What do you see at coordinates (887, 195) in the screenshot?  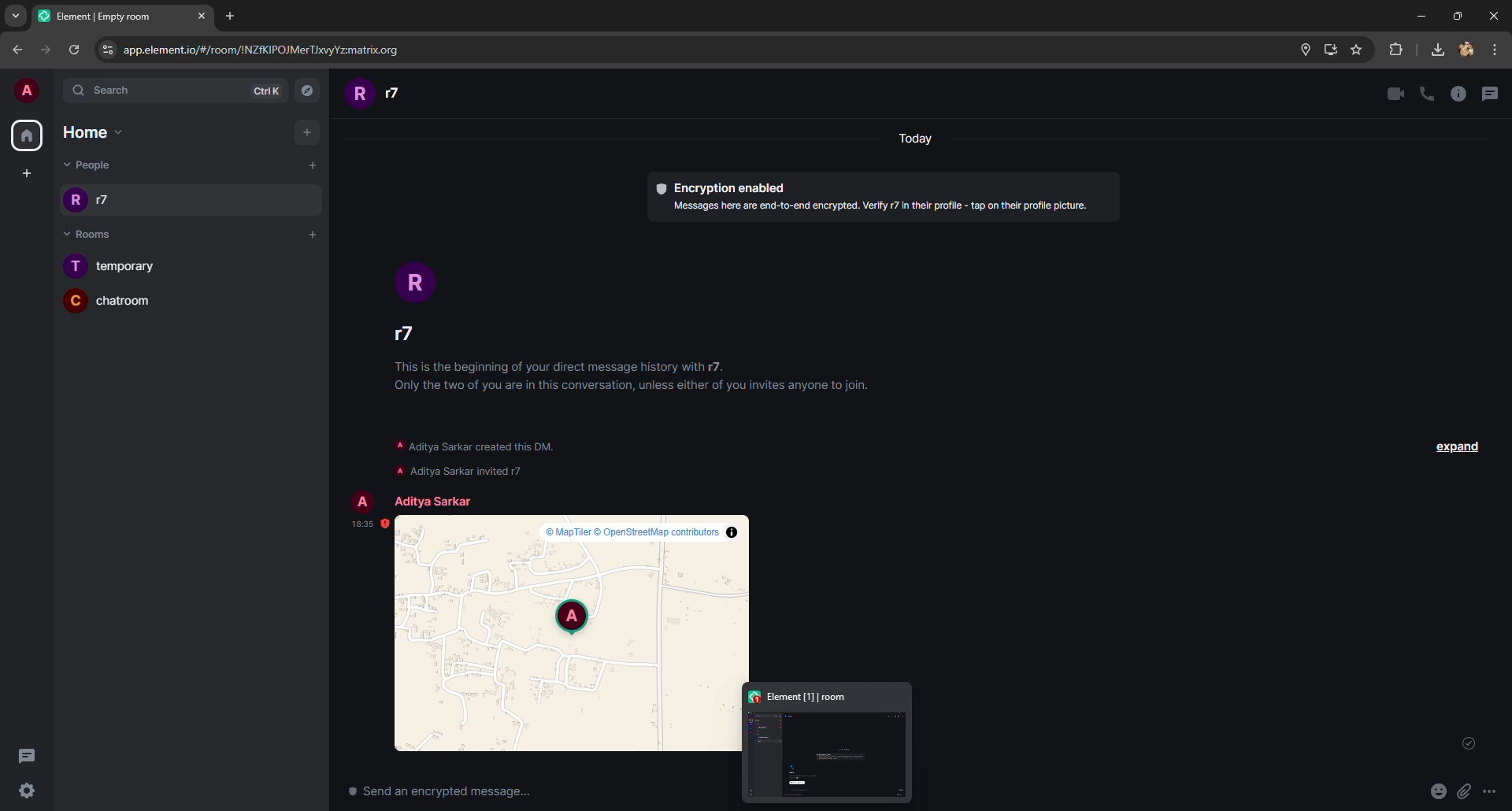 I see `encryption enabled` at bounding box center [887, 195].